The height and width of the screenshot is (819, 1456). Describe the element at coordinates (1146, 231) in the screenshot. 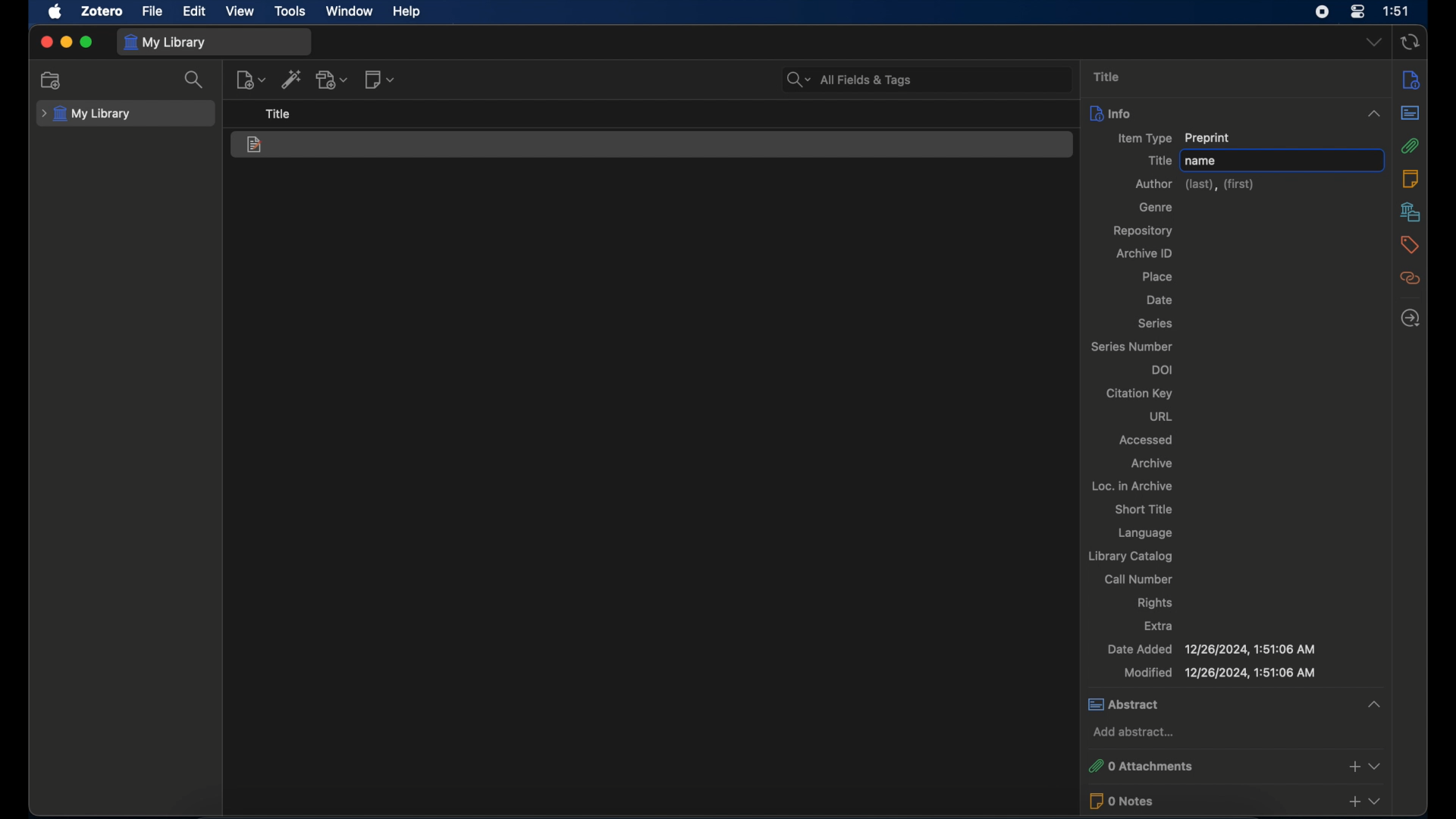

I see `repository` at that location.